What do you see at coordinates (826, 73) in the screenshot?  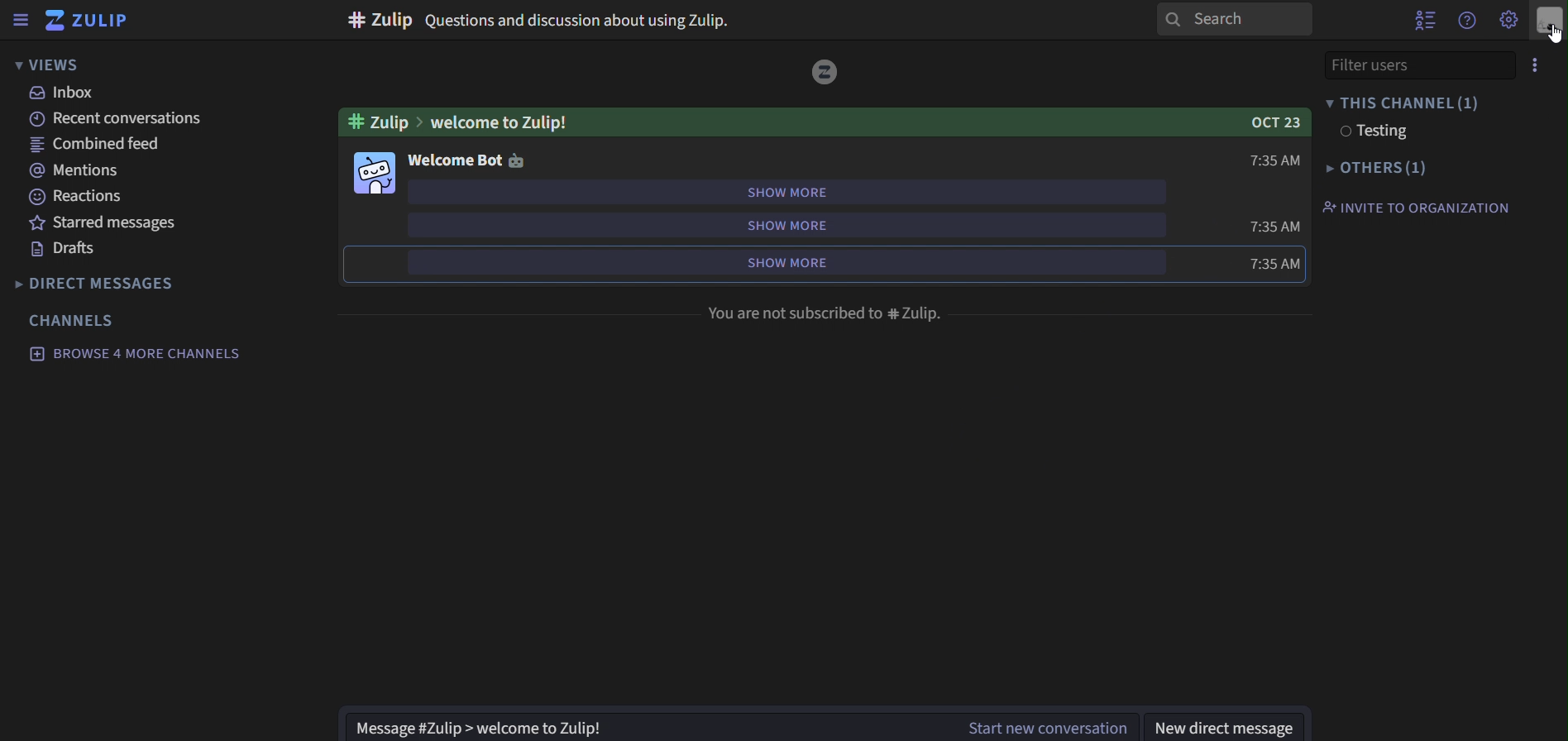 I see `image` at bounding box center [826, 73].